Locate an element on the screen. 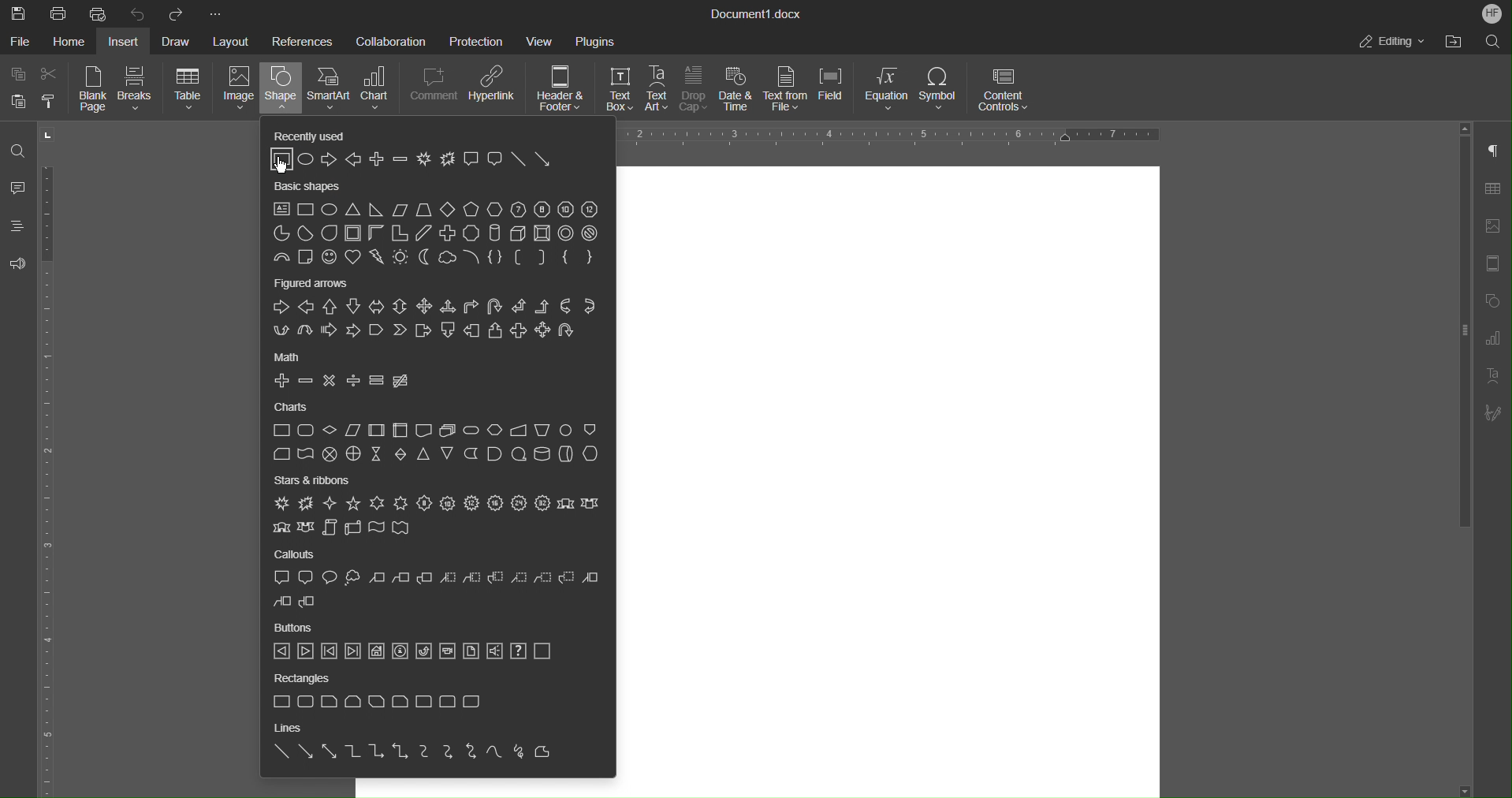  Save is located at coordinates (16, 12).